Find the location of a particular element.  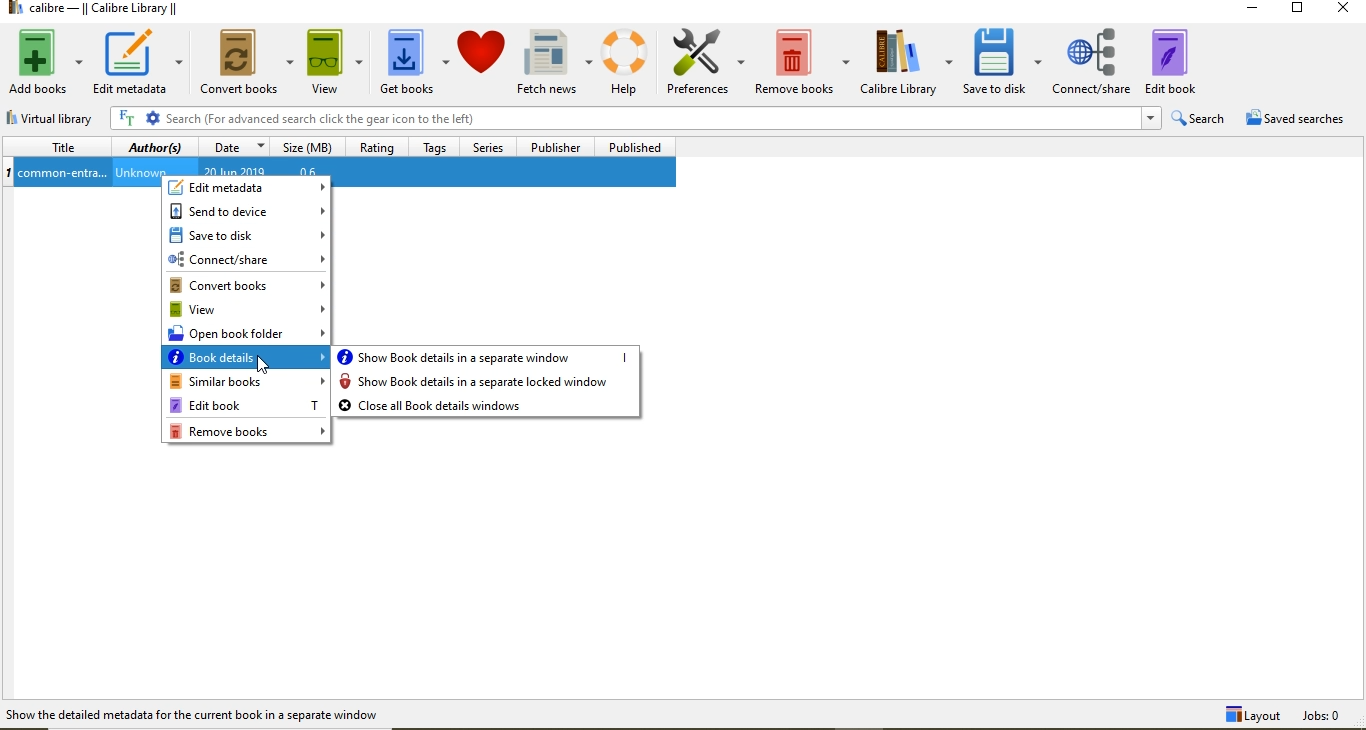

show book details in a seperate window is located at coordinates (487, 356).